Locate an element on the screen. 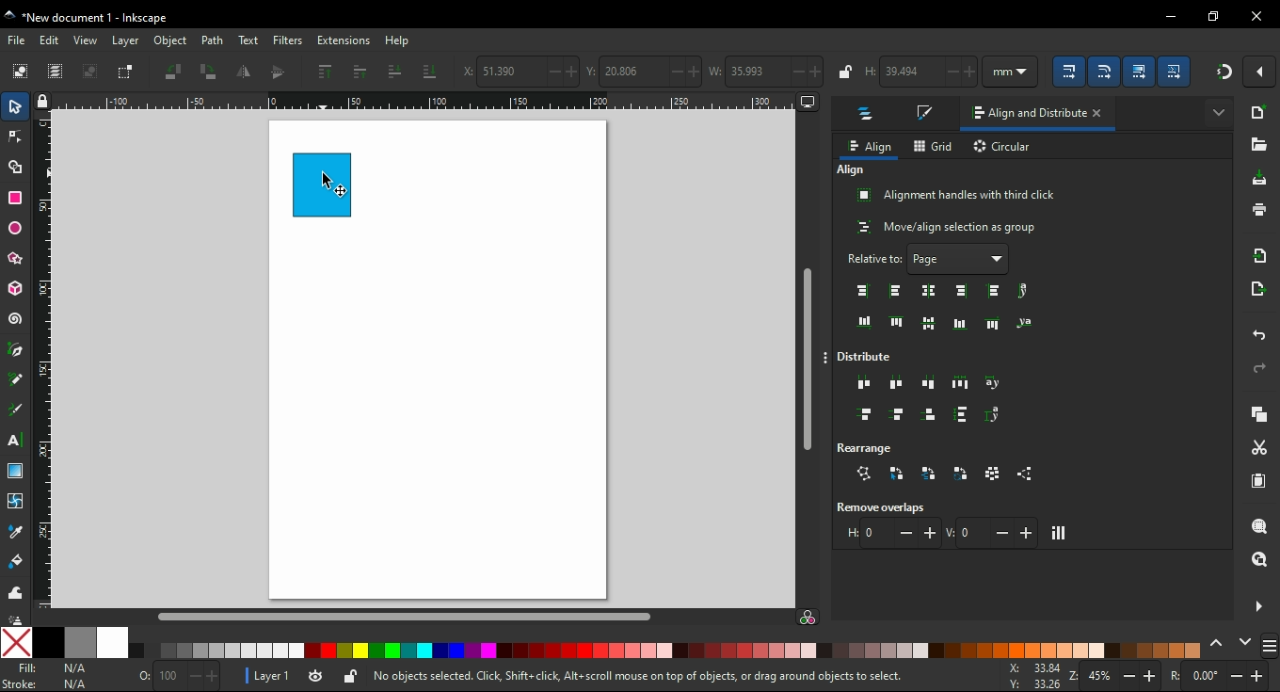 The image size is (1280, 692). text tool is located at coordinates (18, 440).